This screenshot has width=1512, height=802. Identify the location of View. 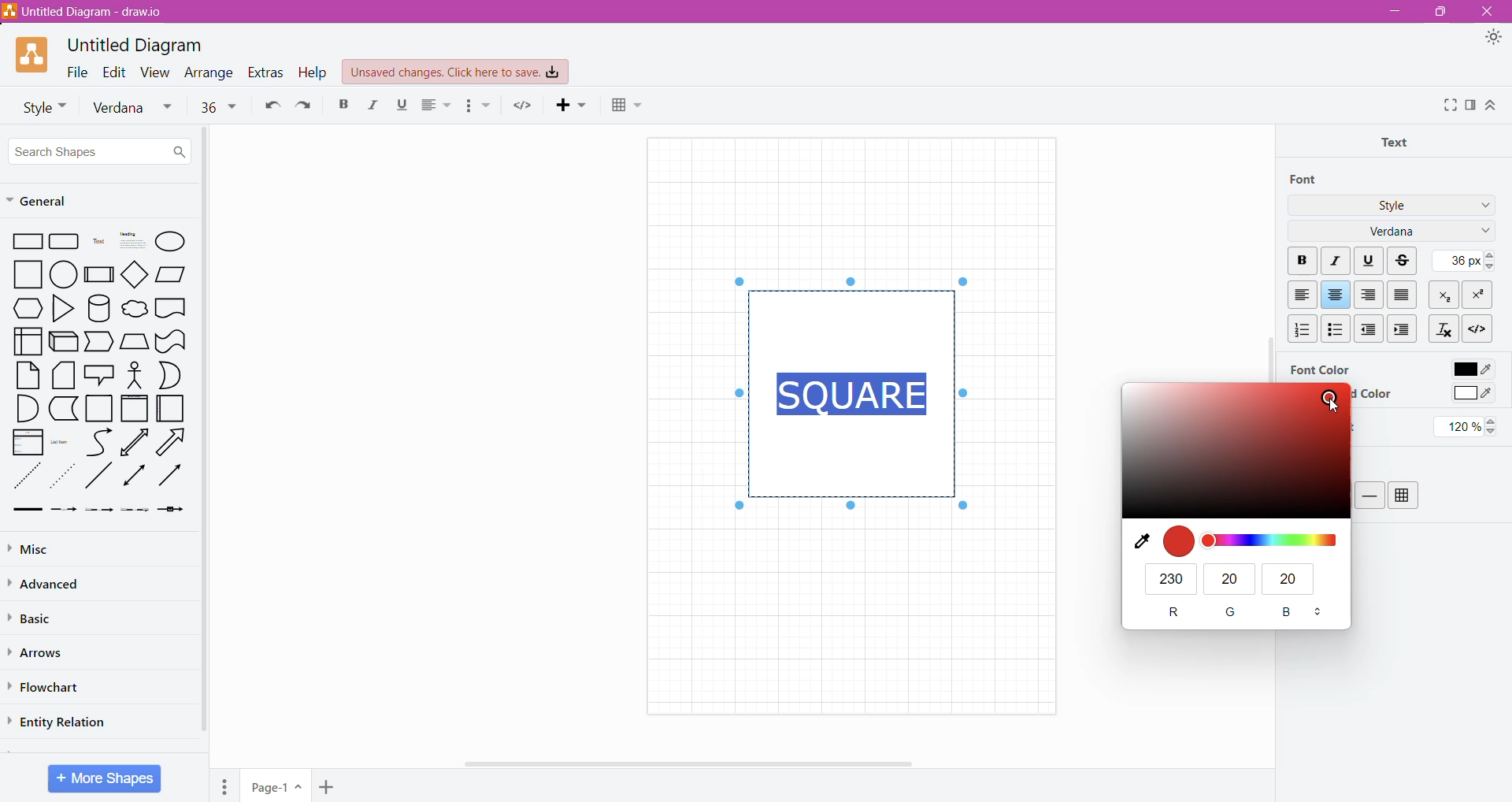
(156, 71).